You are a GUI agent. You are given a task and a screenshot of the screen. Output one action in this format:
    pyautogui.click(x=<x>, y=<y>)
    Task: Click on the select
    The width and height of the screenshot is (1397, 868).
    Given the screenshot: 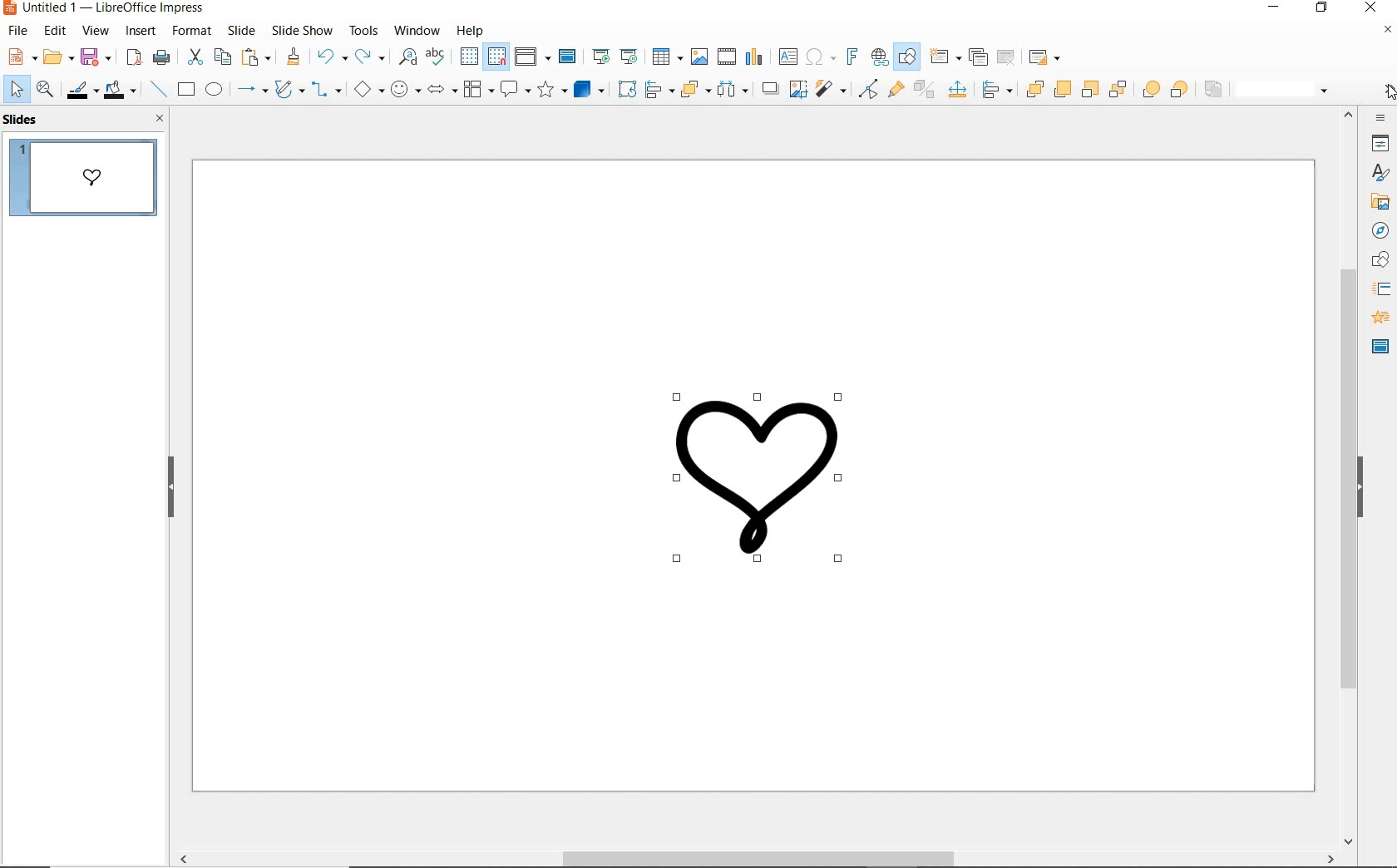 What is the action you would take?
    pyautogui.click(x=16, y=91)
    